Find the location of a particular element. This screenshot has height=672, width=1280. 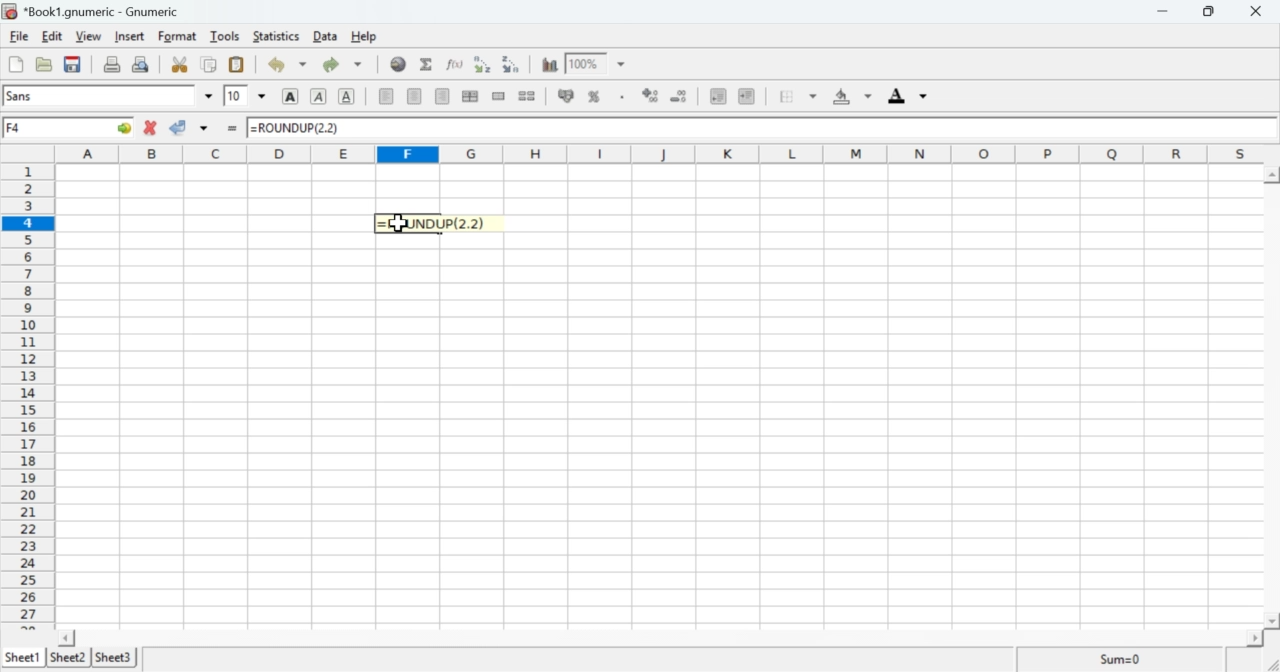

Contents of active cell is located at coordinates (754, 127).